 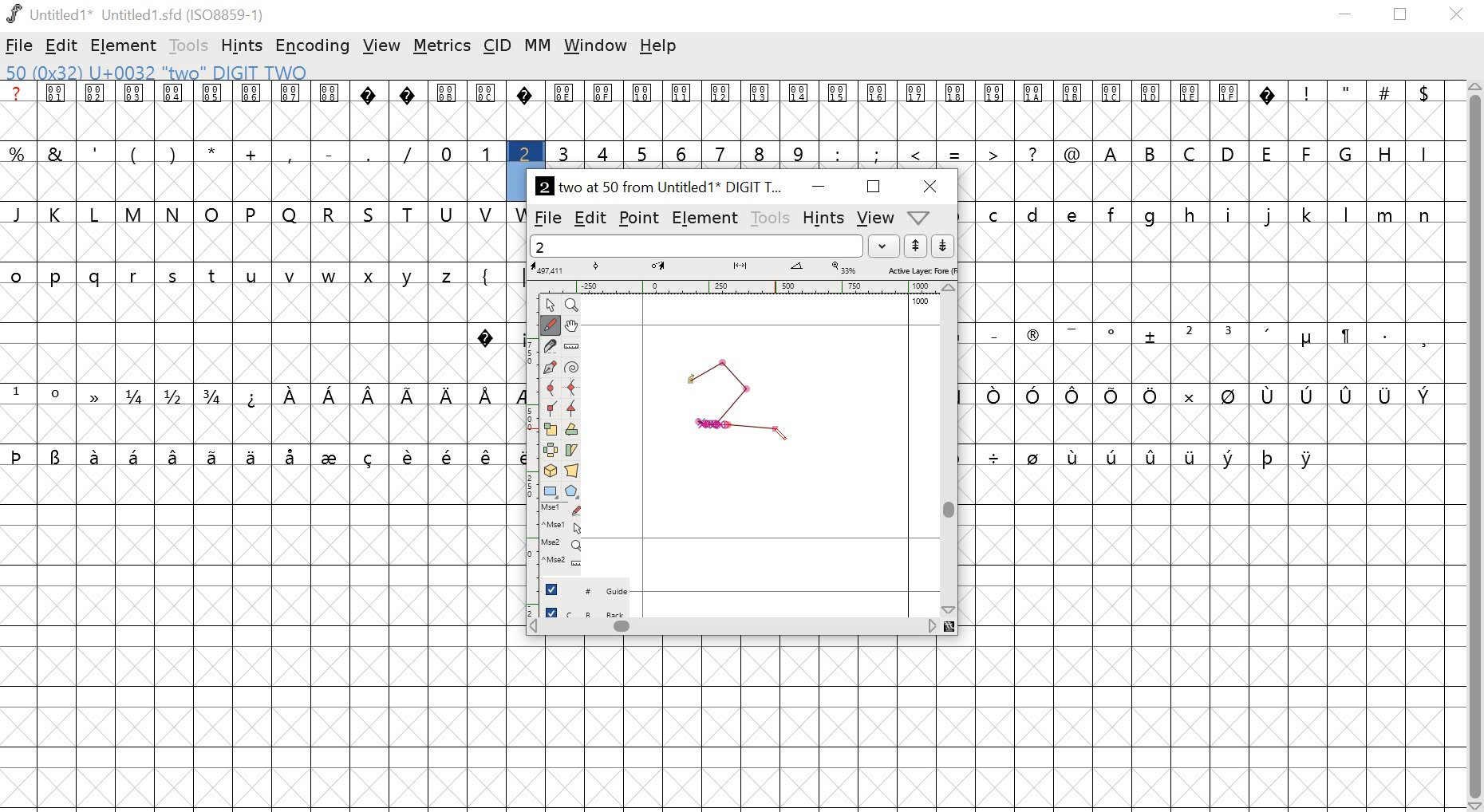 What do you see at coordinates (780, 431) in the screenshot?
I see `pen tool /cursor location` at bounding box center [780, 431].